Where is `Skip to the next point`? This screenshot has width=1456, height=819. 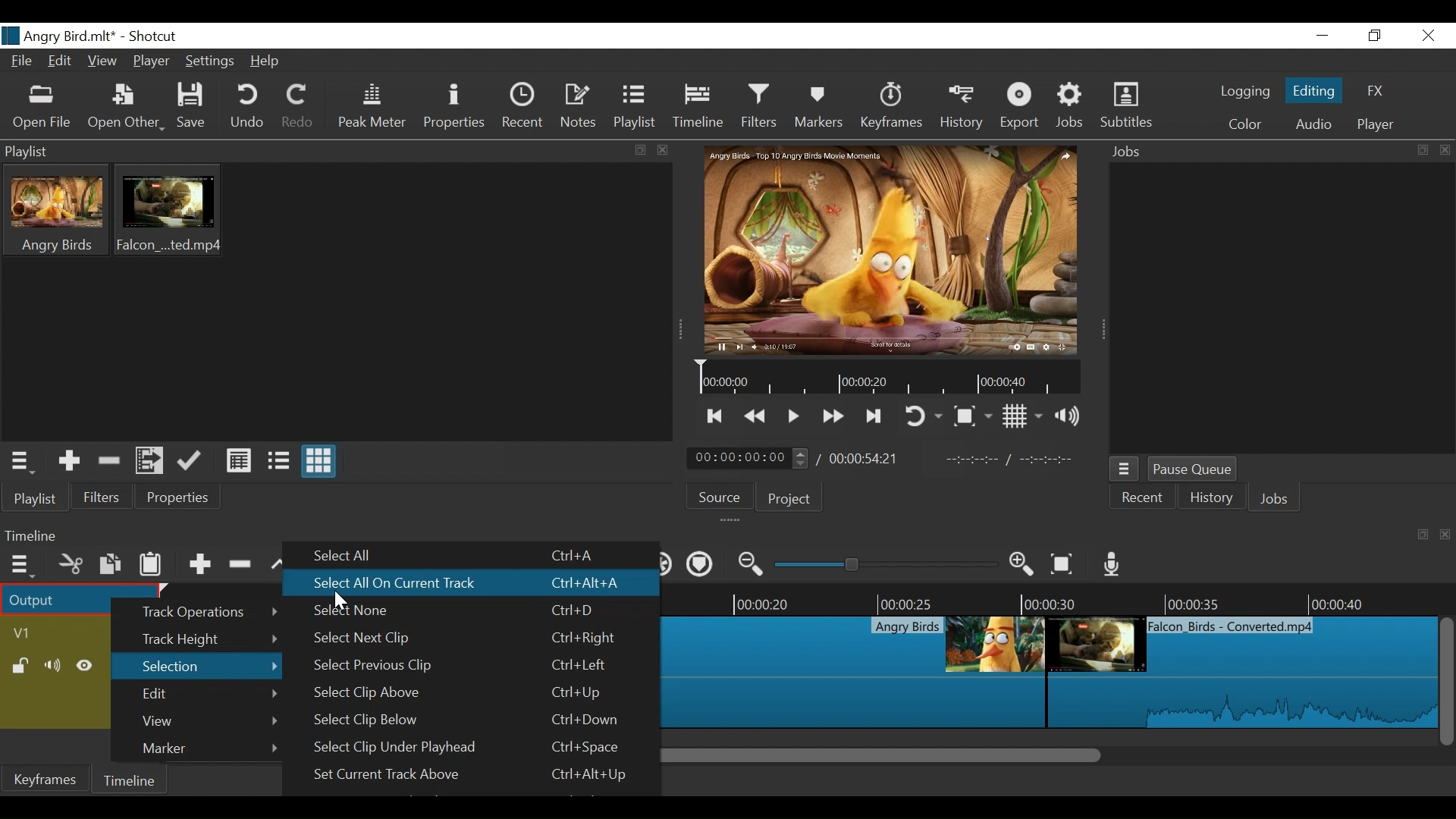 Skip to the next point is located at coordinates (872, 417).